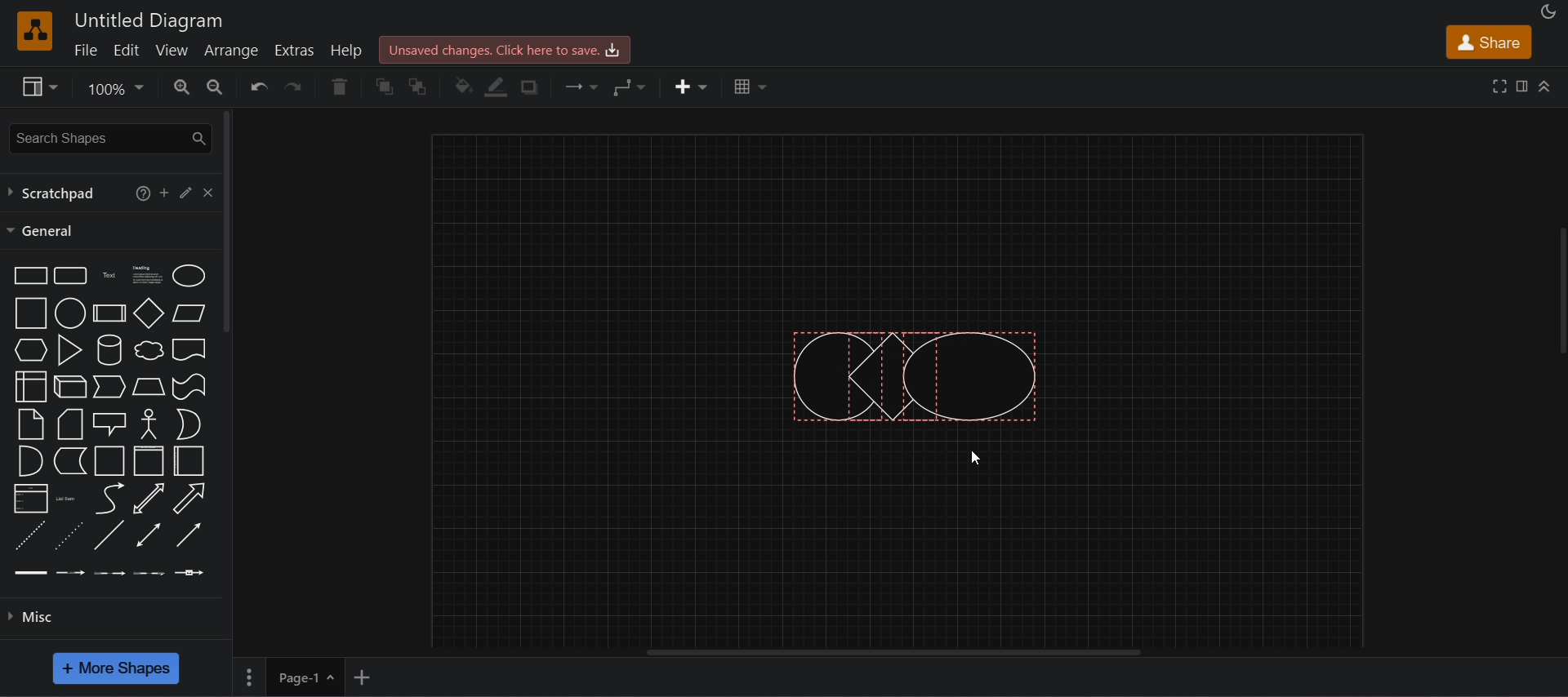 The image size is (1568, 697). I want to click on process, so click(109, 313).